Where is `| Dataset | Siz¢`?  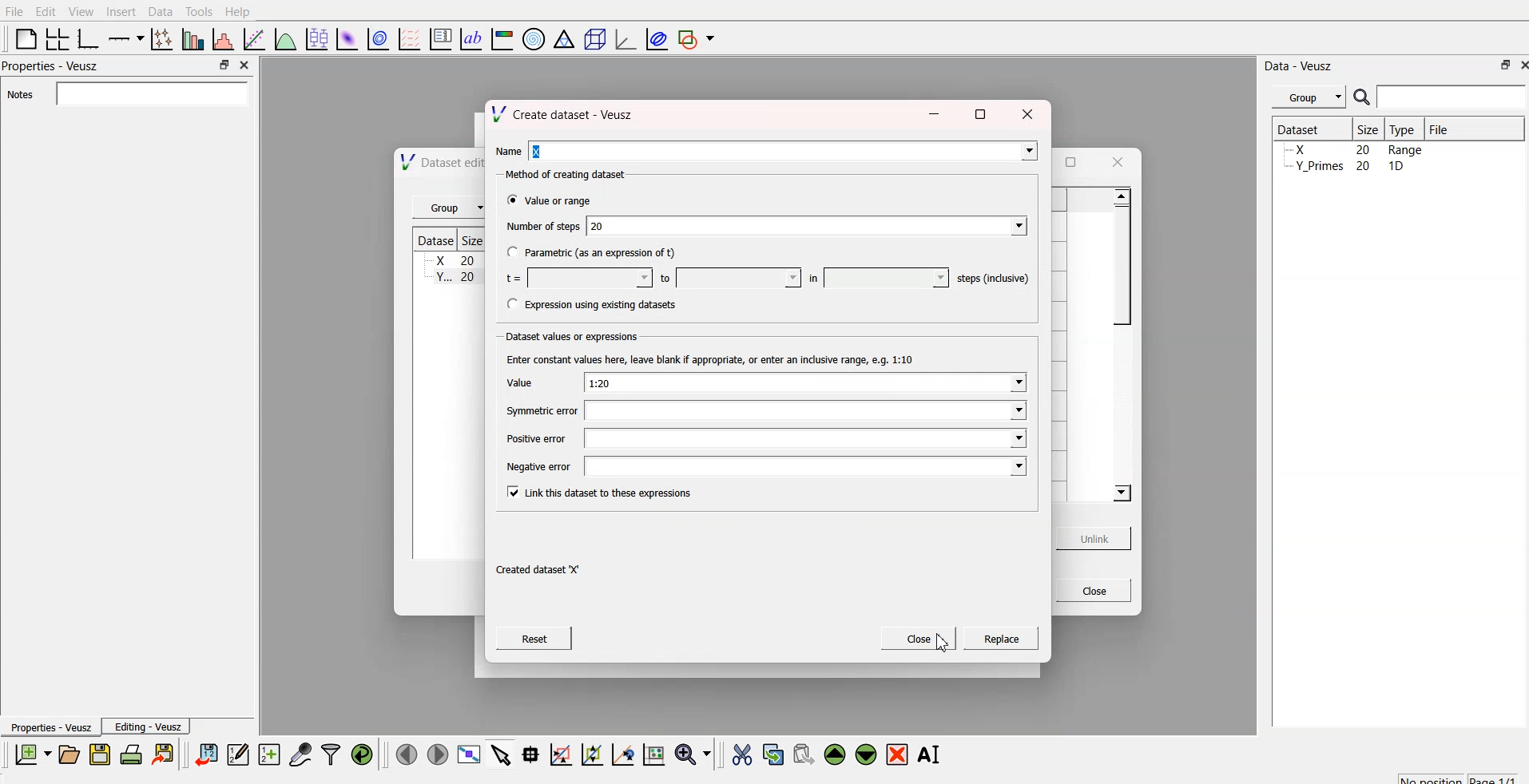
| Dataset | Siz¢ is located at coordinates (446, 240).